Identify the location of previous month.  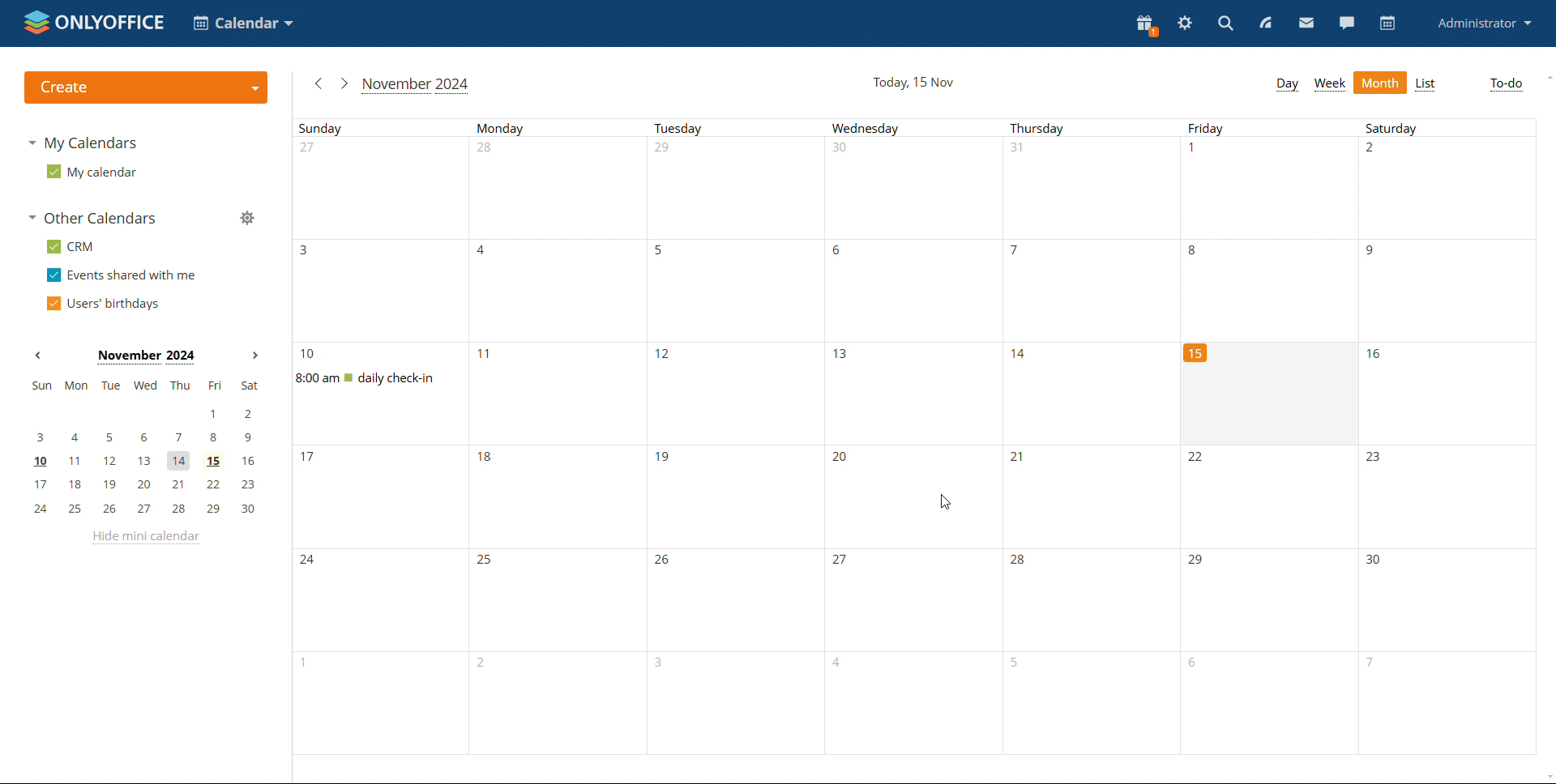
(36, 356).